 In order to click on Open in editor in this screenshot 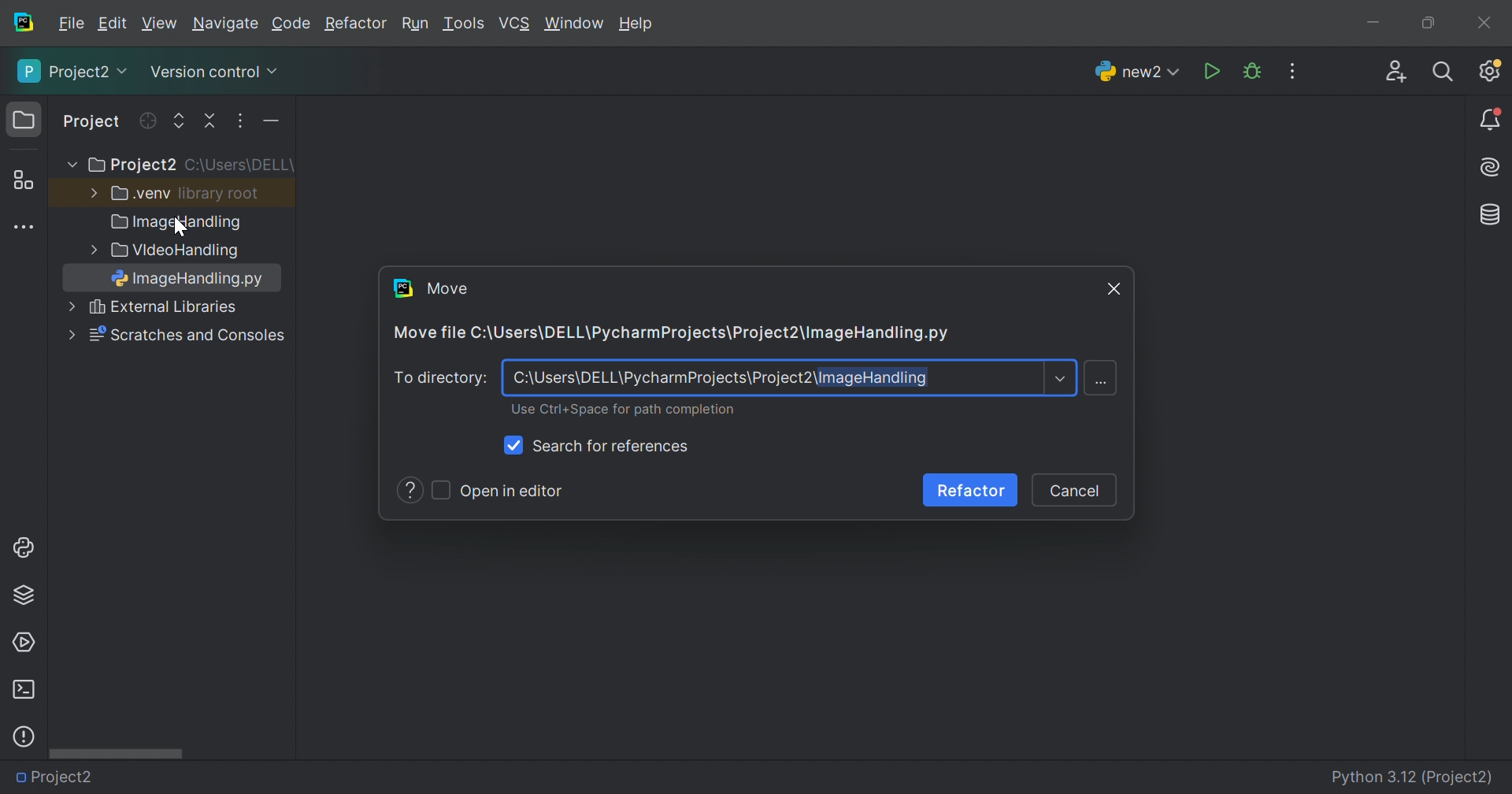, I will do `click(513, 491)`.